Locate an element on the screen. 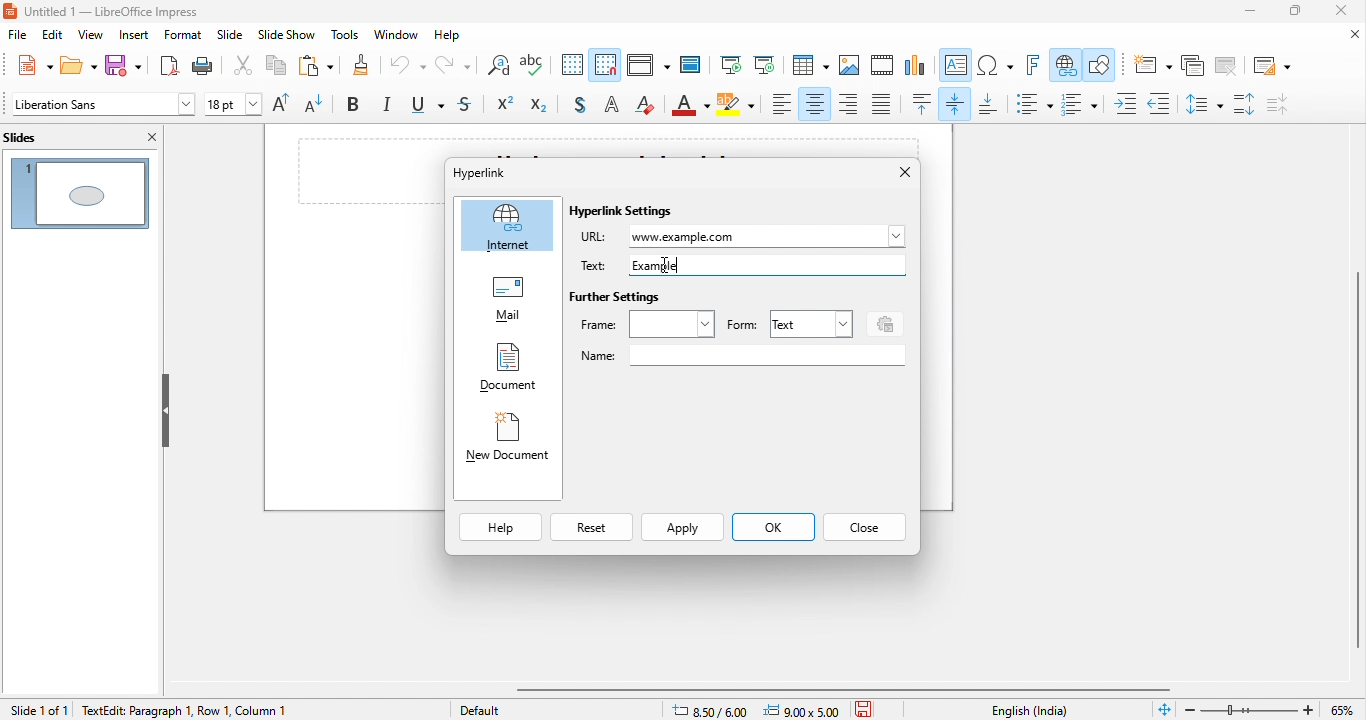 Image resolution: width=1366 pixels, height=720 pixels. fontwork text is located at coordinates (1036, 66).